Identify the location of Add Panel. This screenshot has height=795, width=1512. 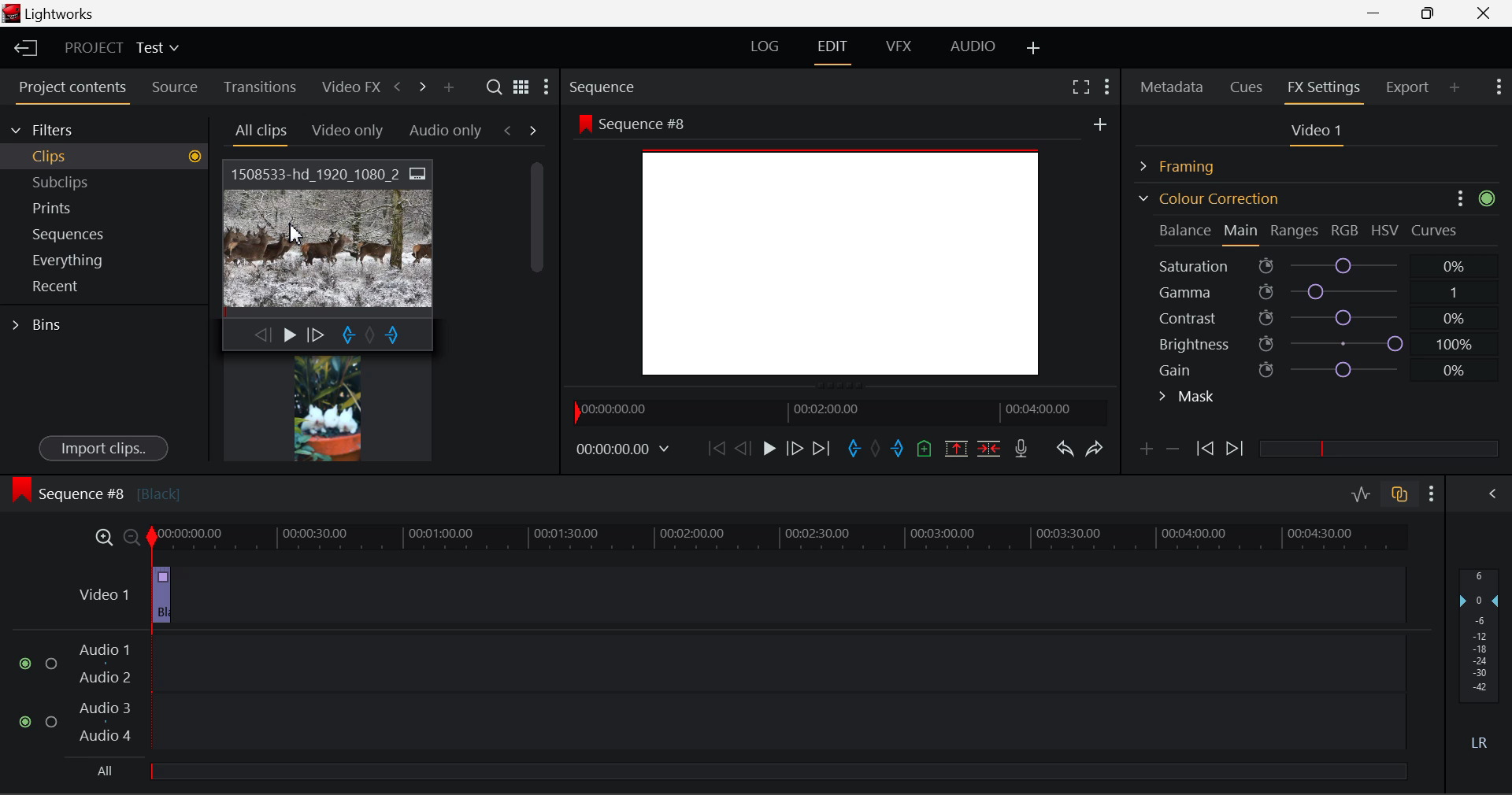
(1455, 87).